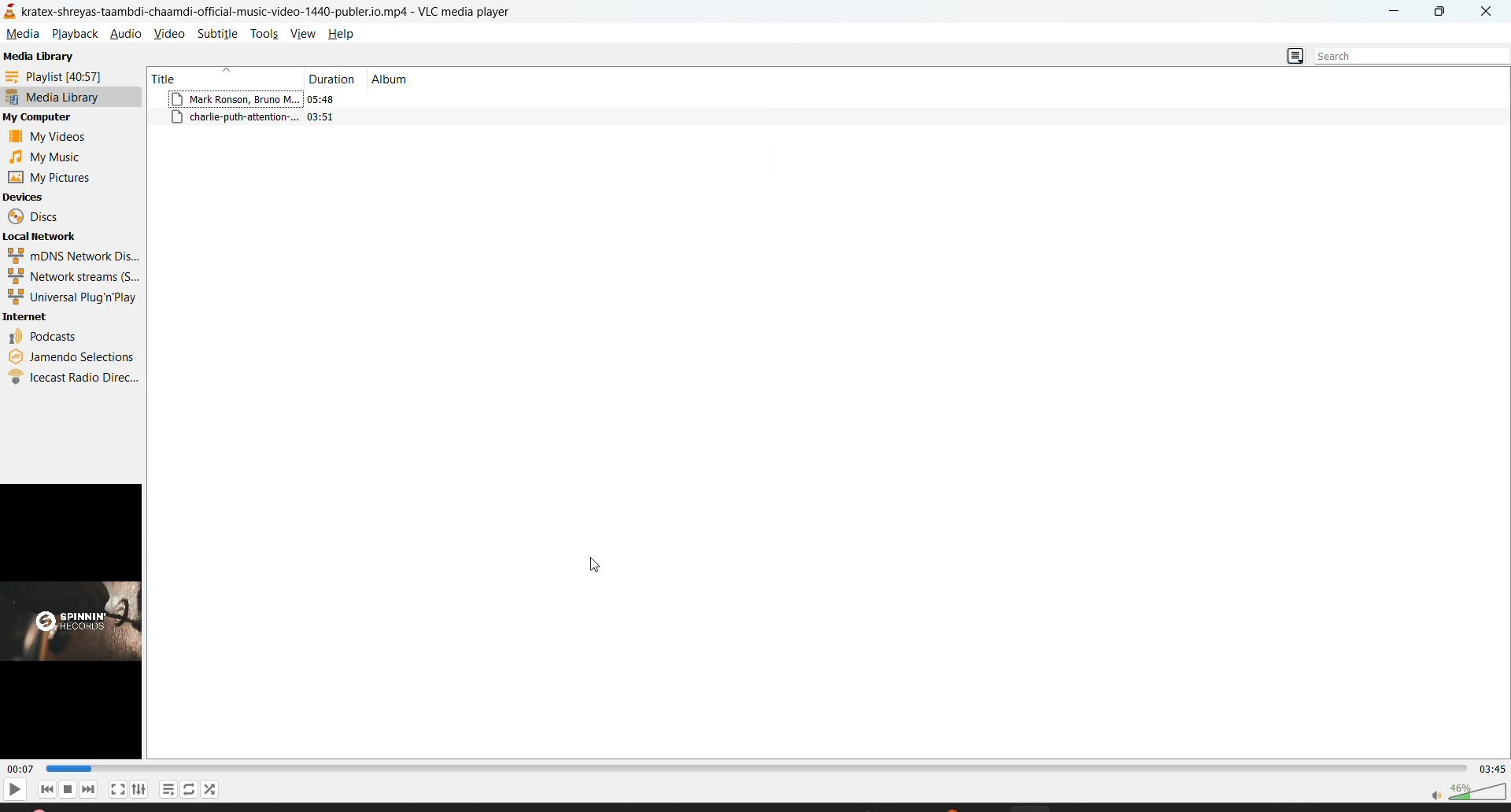 The width and height of the screenshot is (1511, 812). What do you see at coordinates (75, 257) in the screenshot?
I see `mdns network` at bounding box center [75, 257].